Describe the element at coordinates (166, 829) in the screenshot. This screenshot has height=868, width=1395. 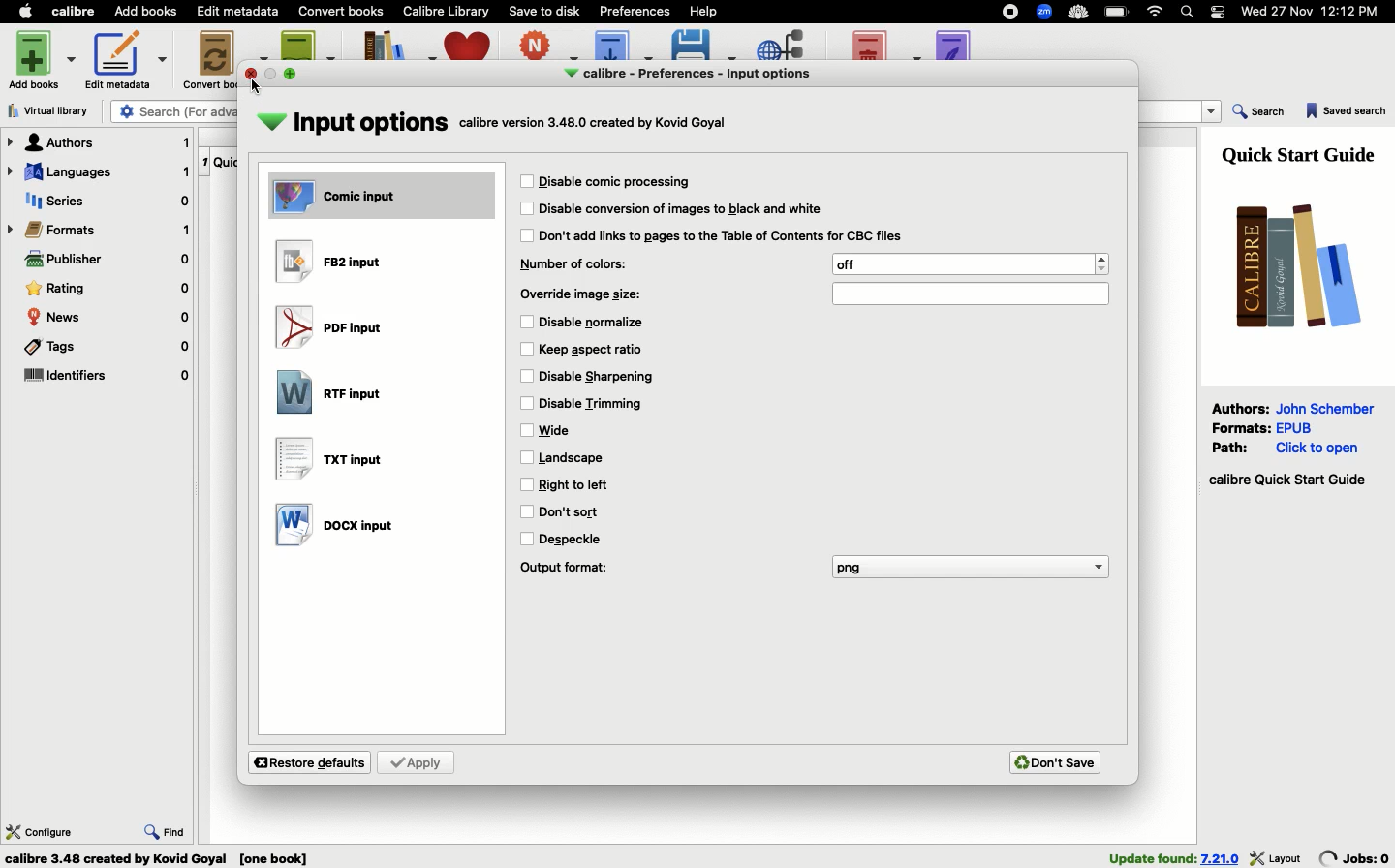
I see `Find` at that location.